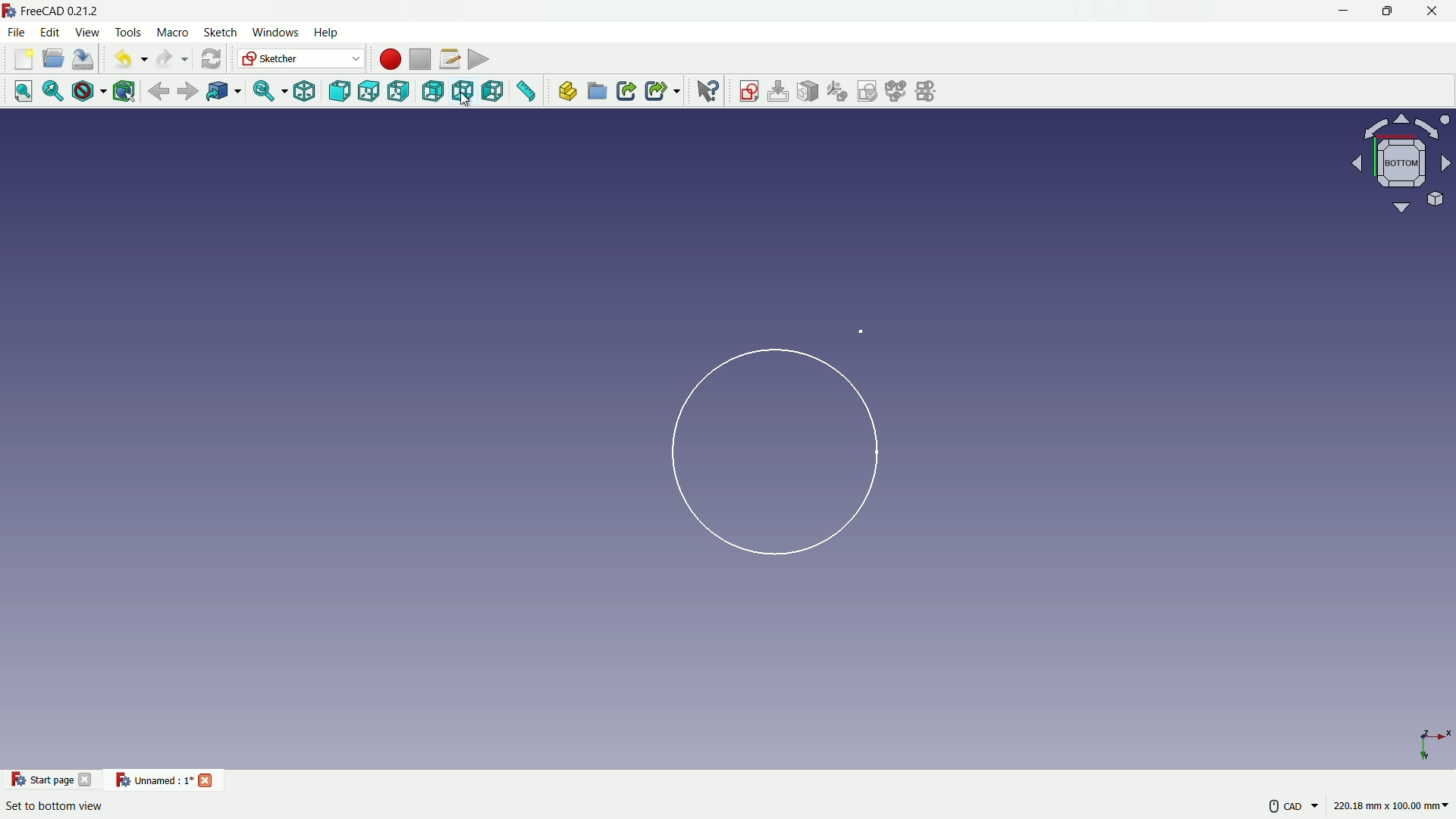 The height and width of the screenshot is (819, 1456). What do you see at coordinates (1396, 164) in the screenshot?
I see `view` at bounding box center [1396, 164].